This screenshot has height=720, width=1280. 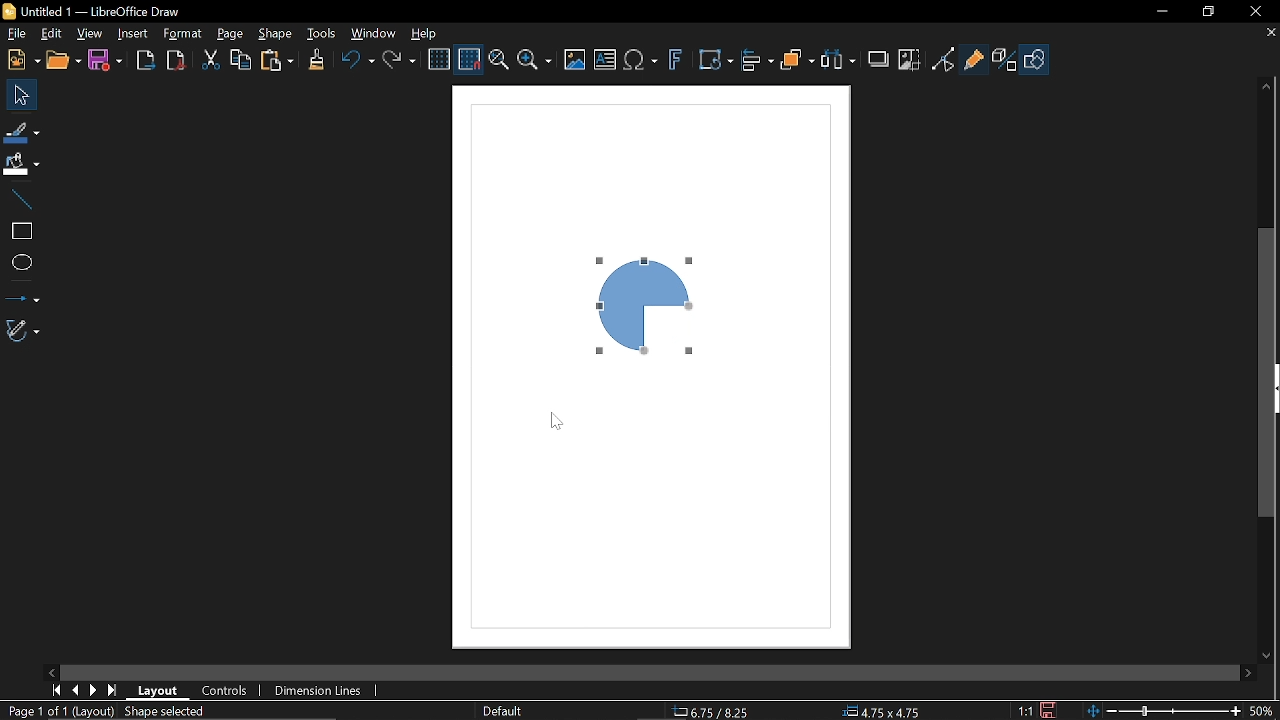 I want to click on Quarter Circle (object flipped vertically), so click(x=647, y=306).